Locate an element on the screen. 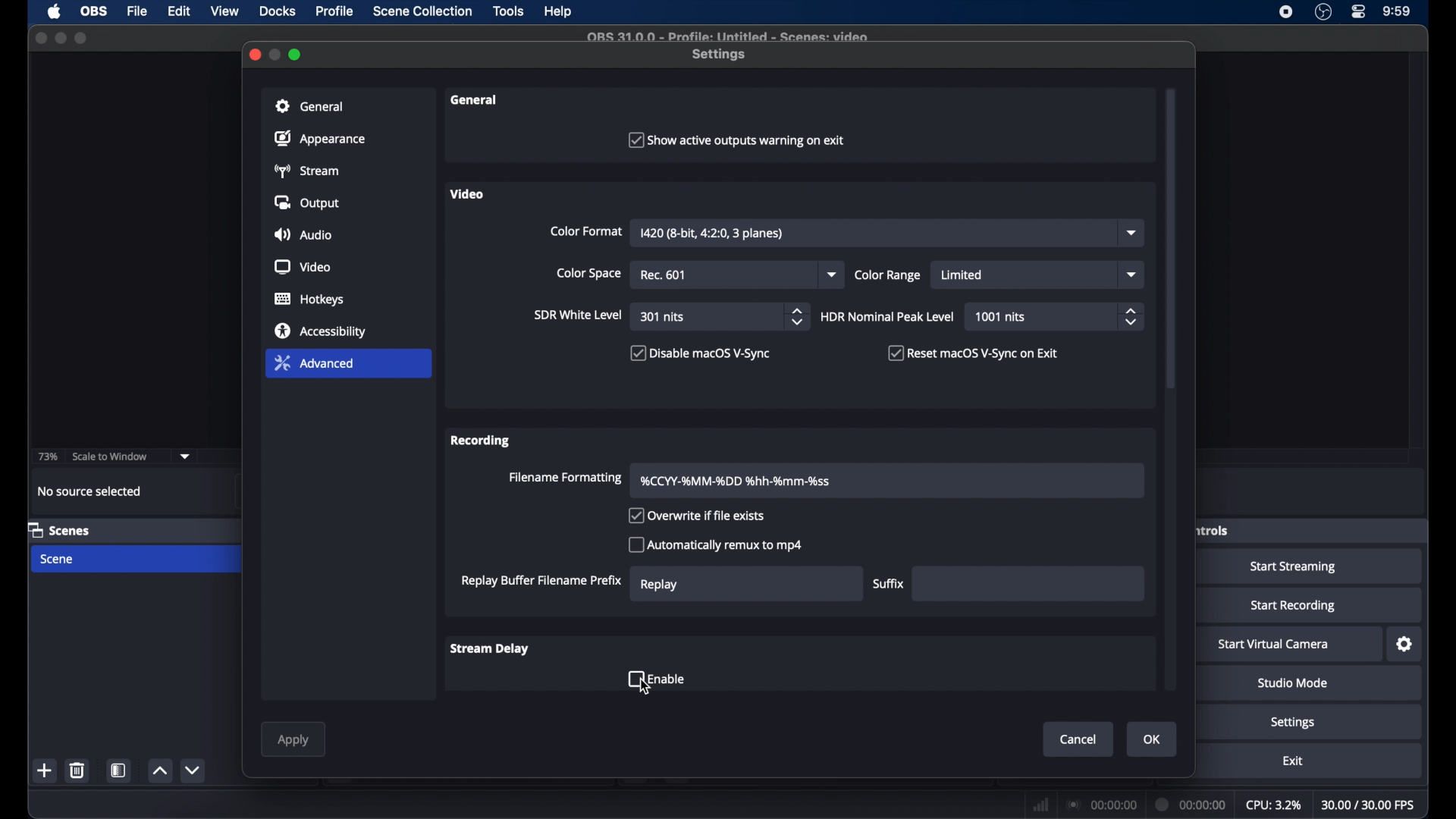 The height and width of the screenshot is (819, 1456). appearance is located at coordinates (319, 138).